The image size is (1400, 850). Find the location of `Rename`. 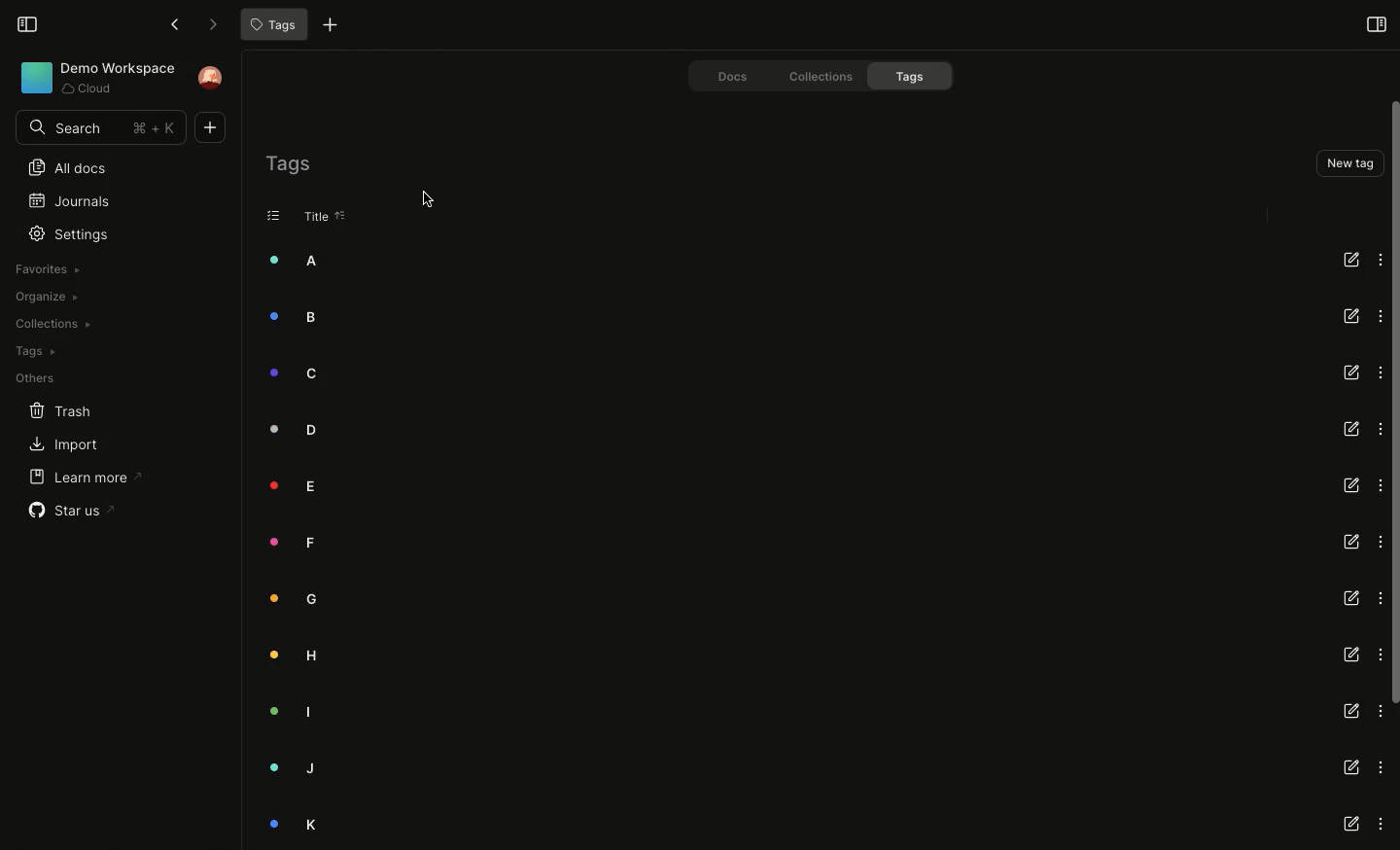

Rename is located at coordinates (1348, 484).